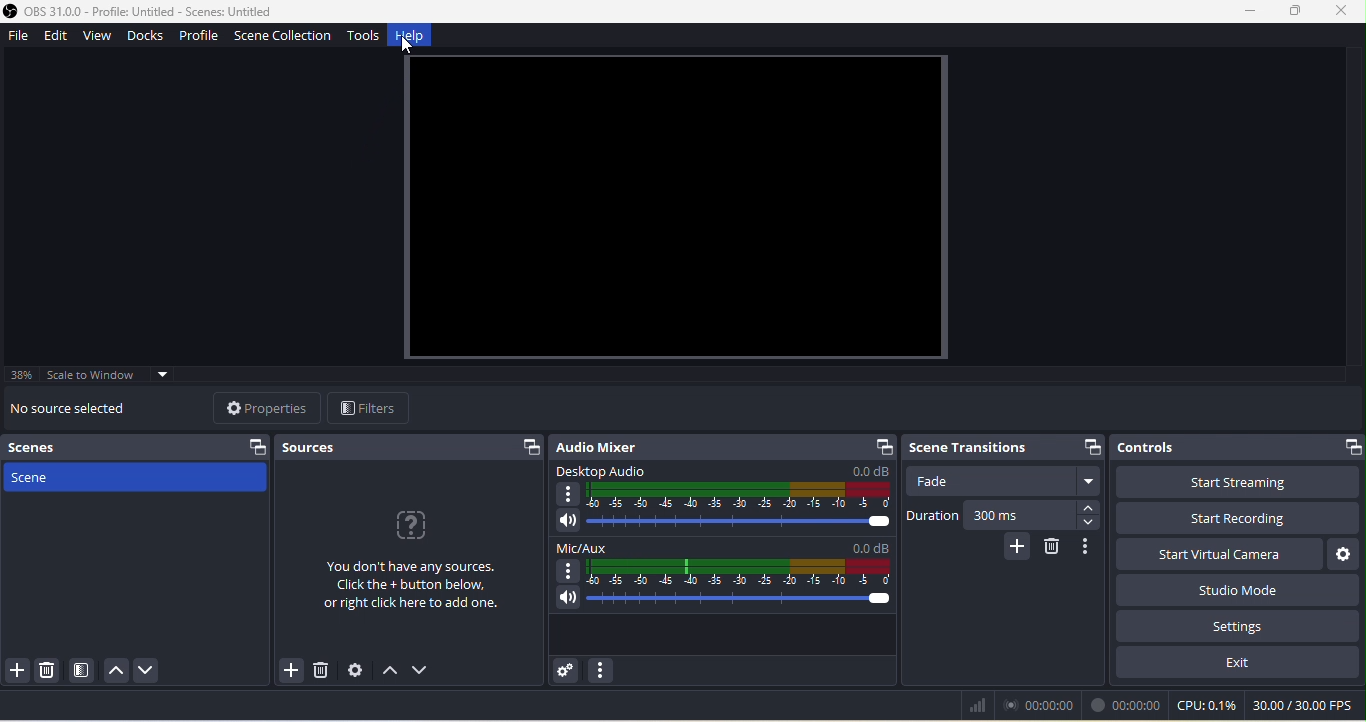 The width and height of the screenshot is (1366, 722). Describe the element at coordinates (150, 38) in the screenshot. I see `docks` at that location.